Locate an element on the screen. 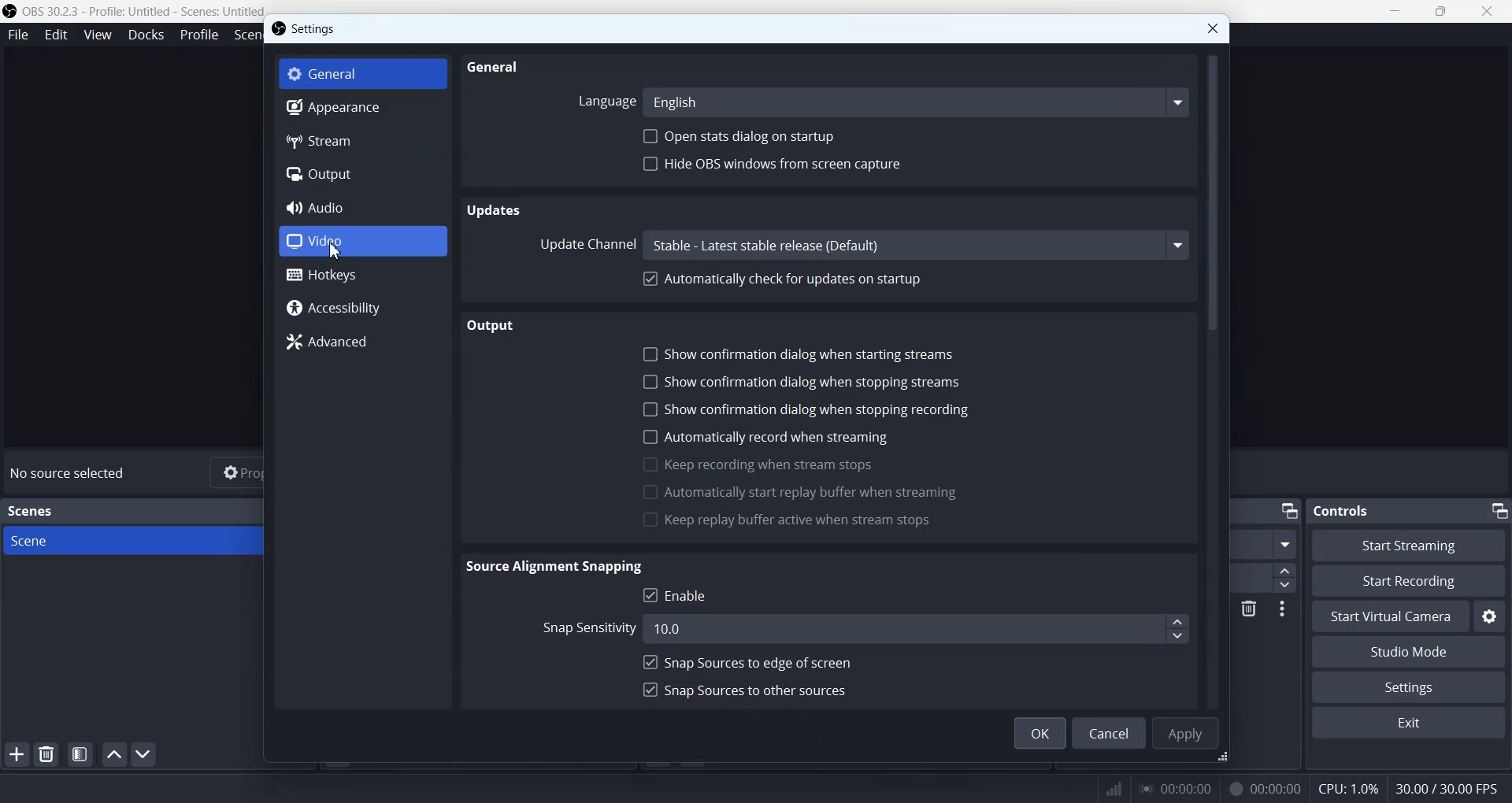  Start Recording is located at coordinates (1410, 581).